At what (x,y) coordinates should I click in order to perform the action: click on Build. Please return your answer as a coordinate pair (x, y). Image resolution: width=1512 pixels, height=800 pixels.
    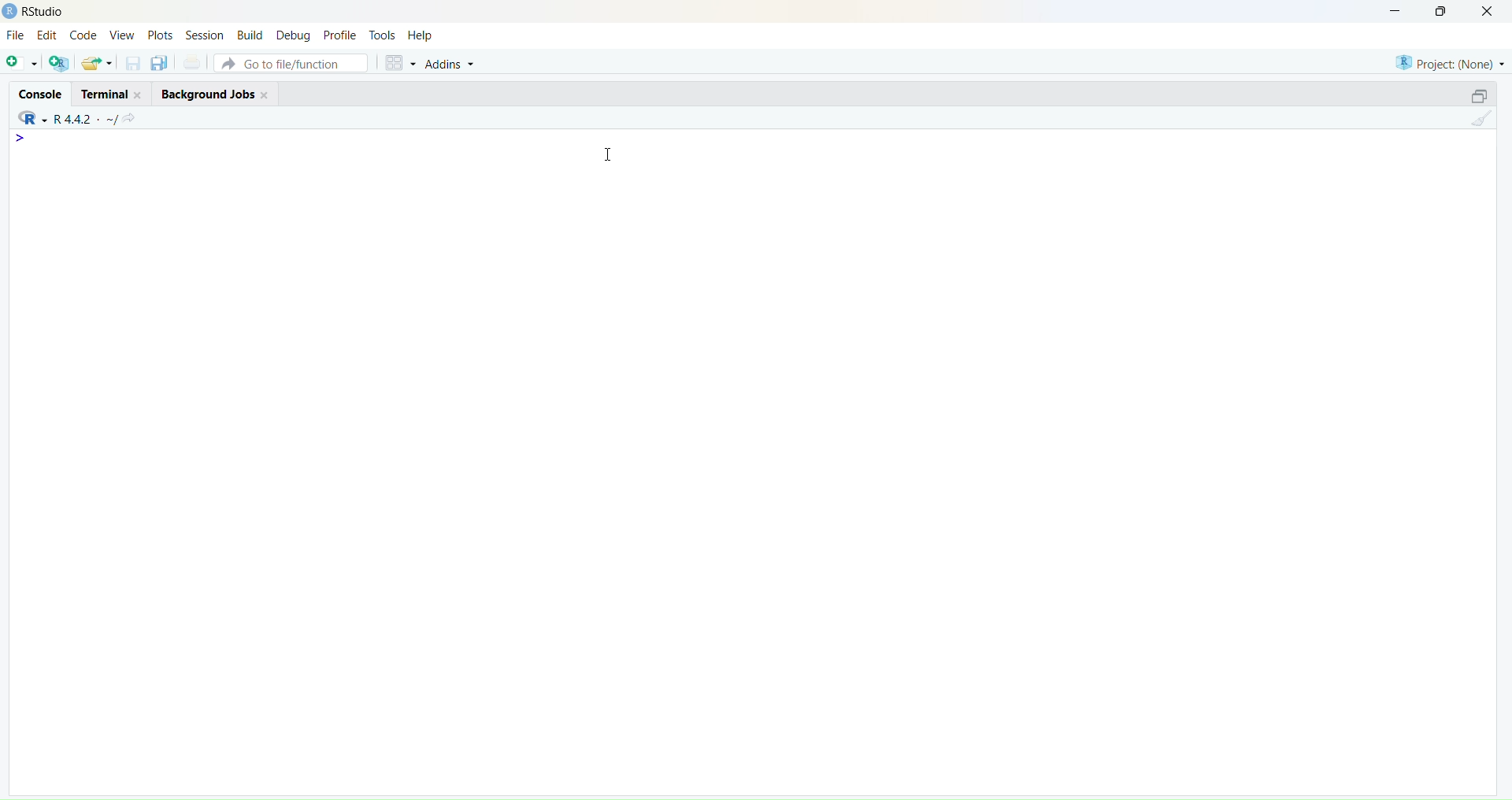
    Looking at the image, I should click on (249, 35).